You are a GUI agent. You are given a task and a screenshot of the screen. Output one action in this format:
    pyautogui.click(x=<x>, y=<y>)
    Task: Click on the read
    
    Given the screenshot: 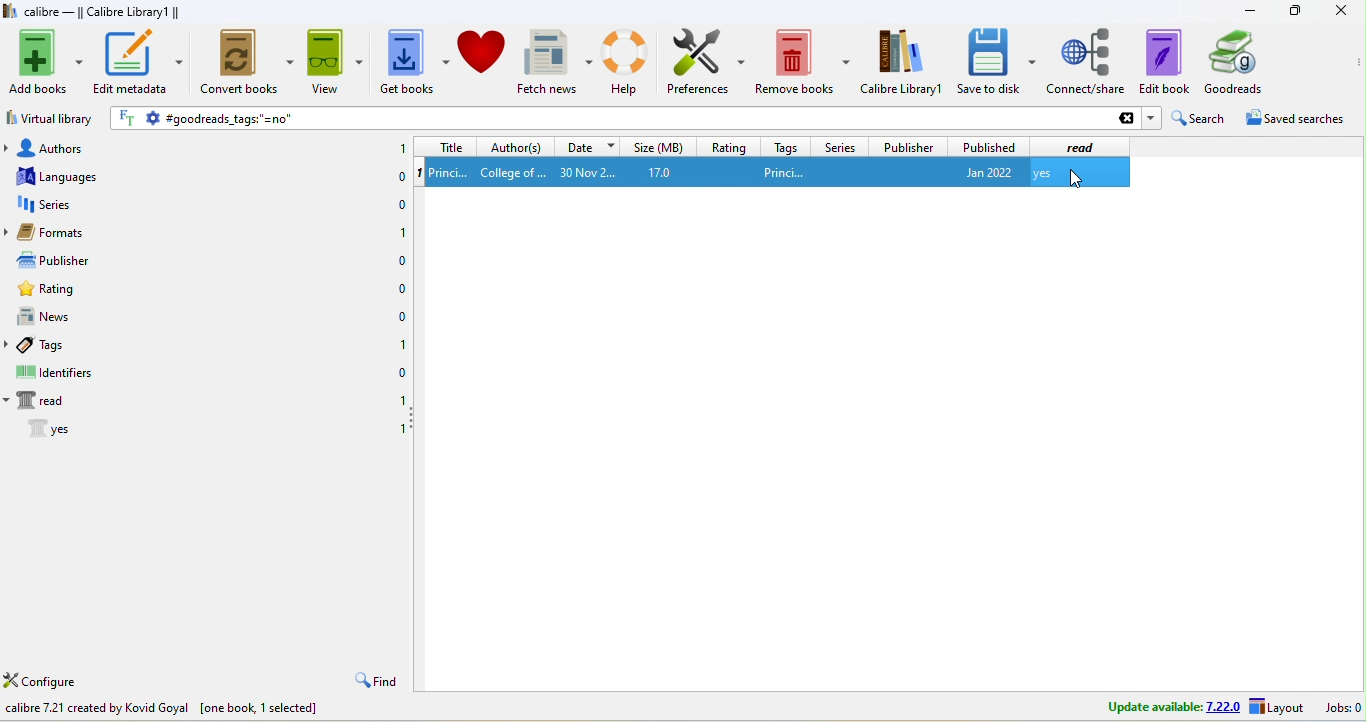 What is the action you would take?
    pyautogui.click(x=44, y=401)
    